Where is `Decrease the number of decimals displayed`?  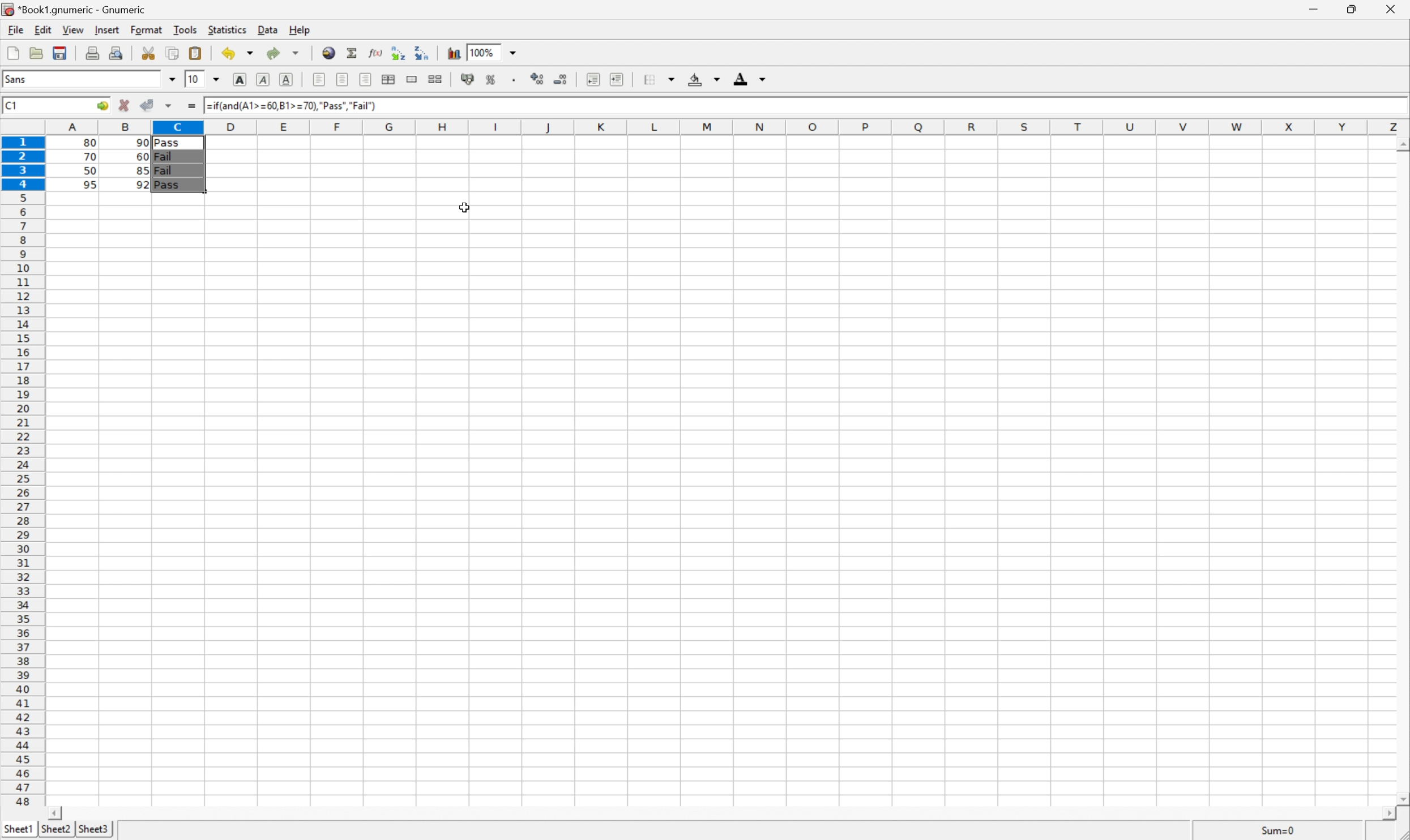
Decrease the number of decimals displayed is located at coordinates (563, 79).